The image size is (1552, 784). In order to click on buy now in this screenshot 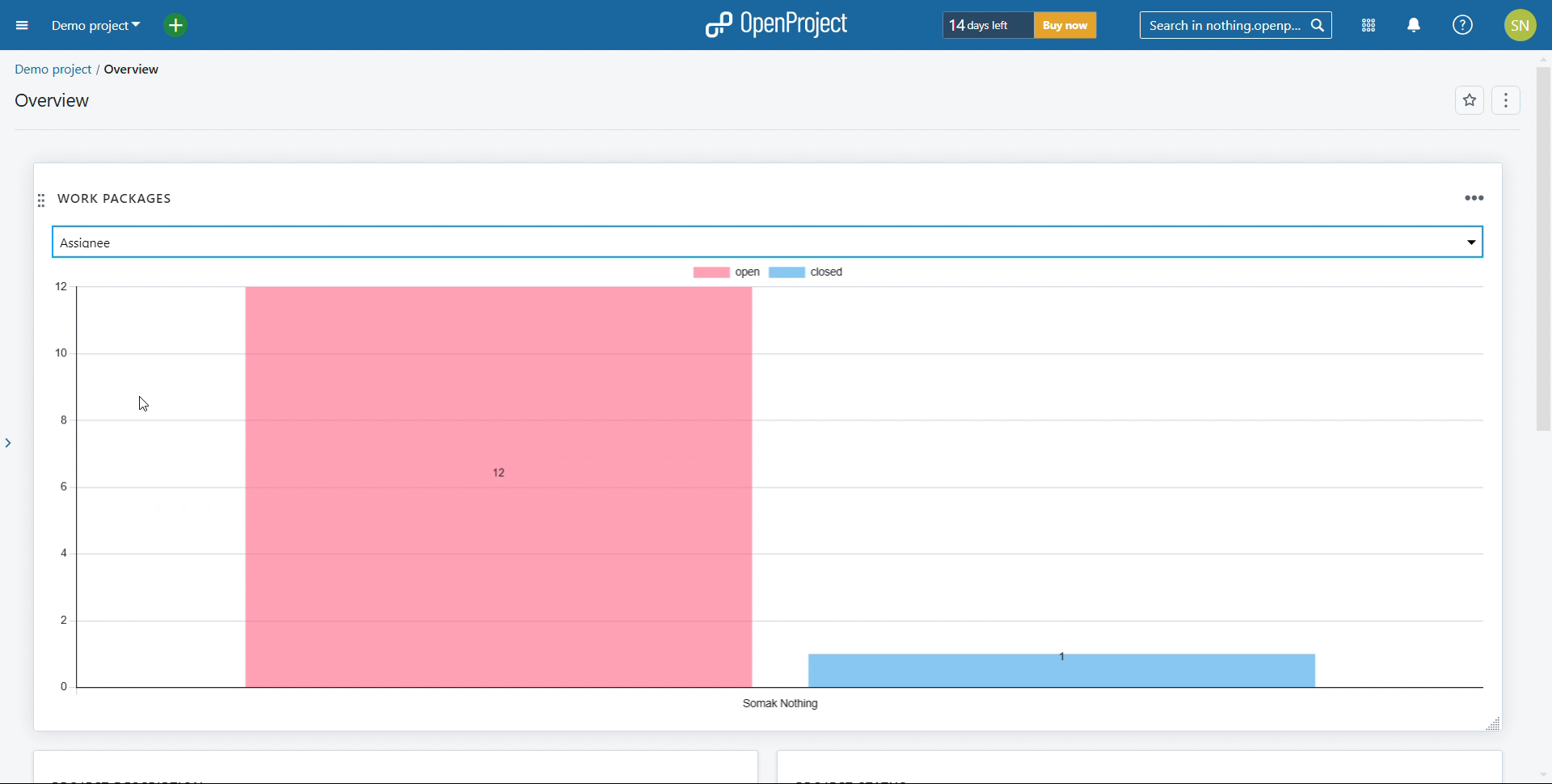, I will do `click(1065, 25)`.